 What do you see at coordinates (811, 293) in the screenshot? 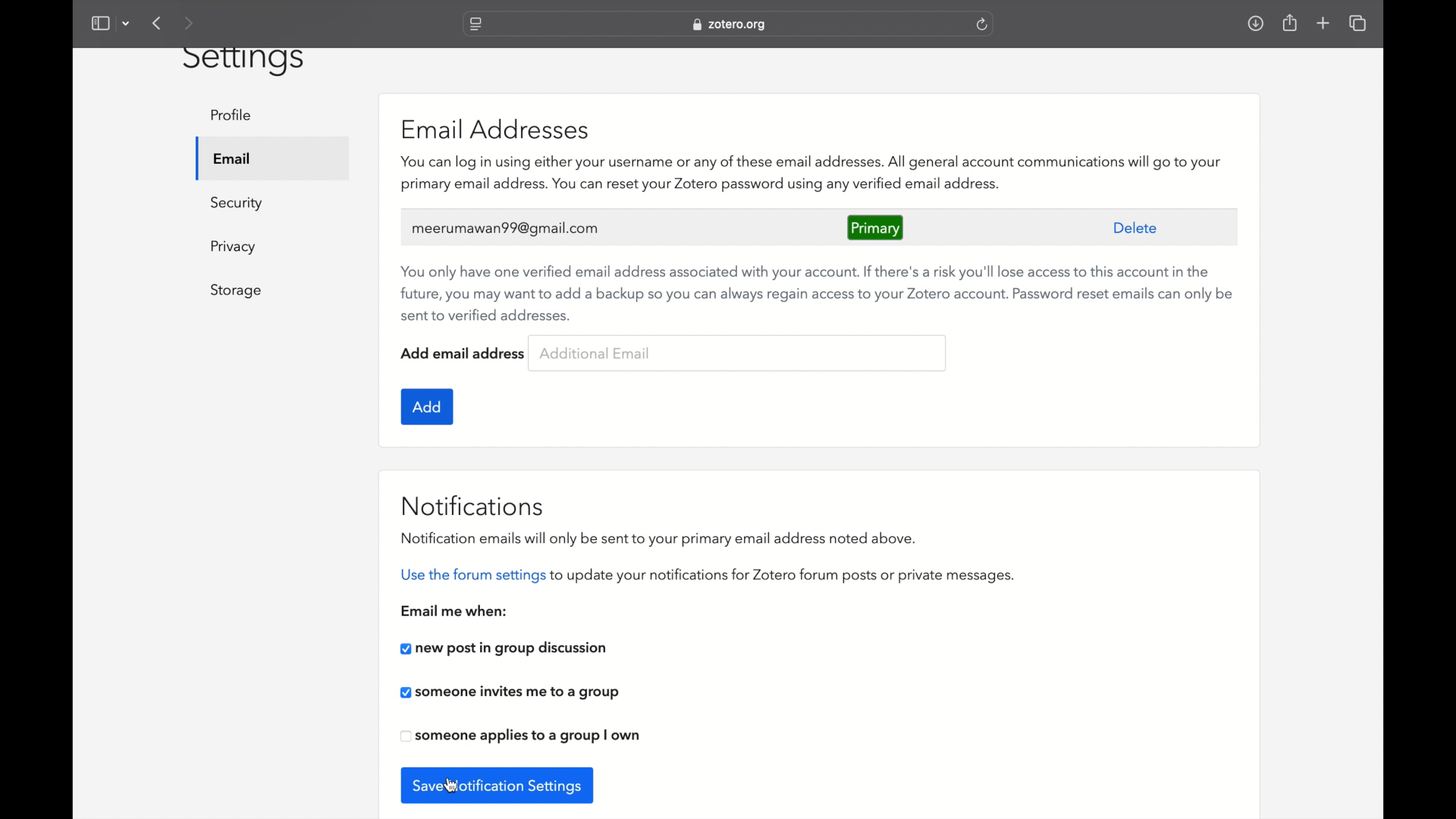
I see `You only have one verified email address associated with your account. If there's a risk you'll lose access to this account in the
future, you may want to add a backup so you can always regain access to your Zotero account. Password reset emails can only be
sent to verified addresses.` at bounding box center [811, 293].